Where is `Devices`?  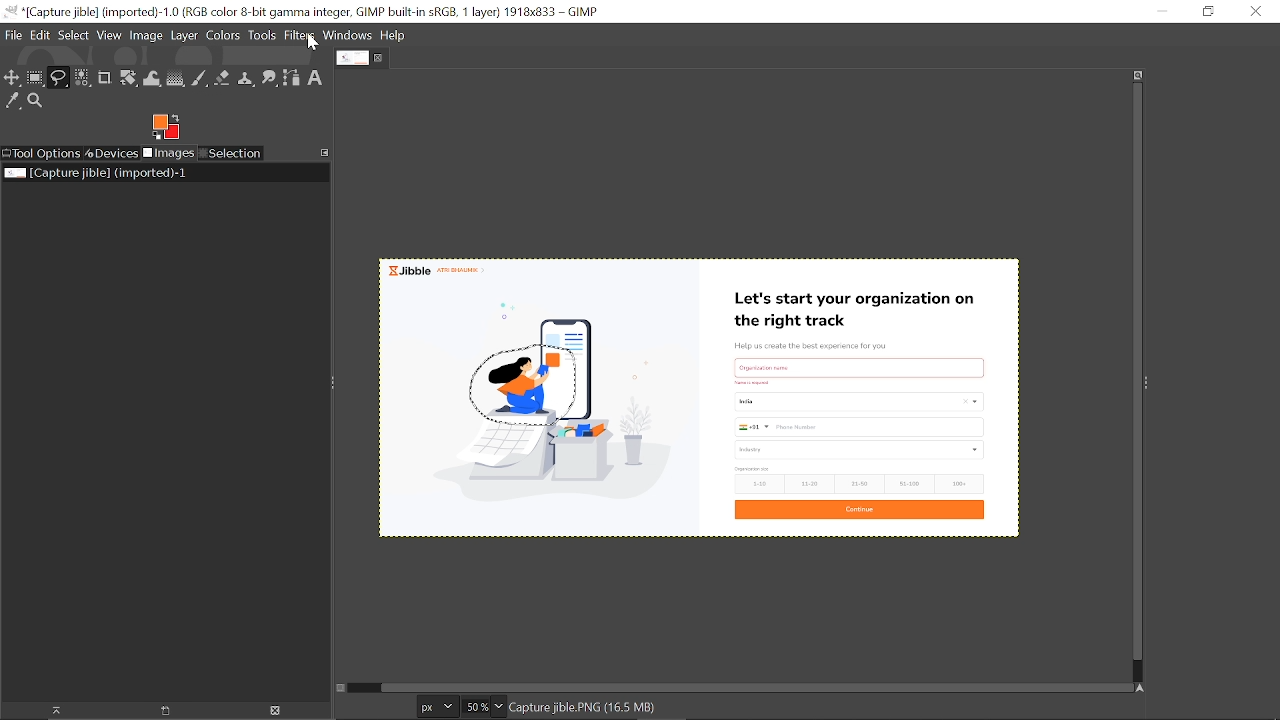
Devices is located at coordinates (112, 152).